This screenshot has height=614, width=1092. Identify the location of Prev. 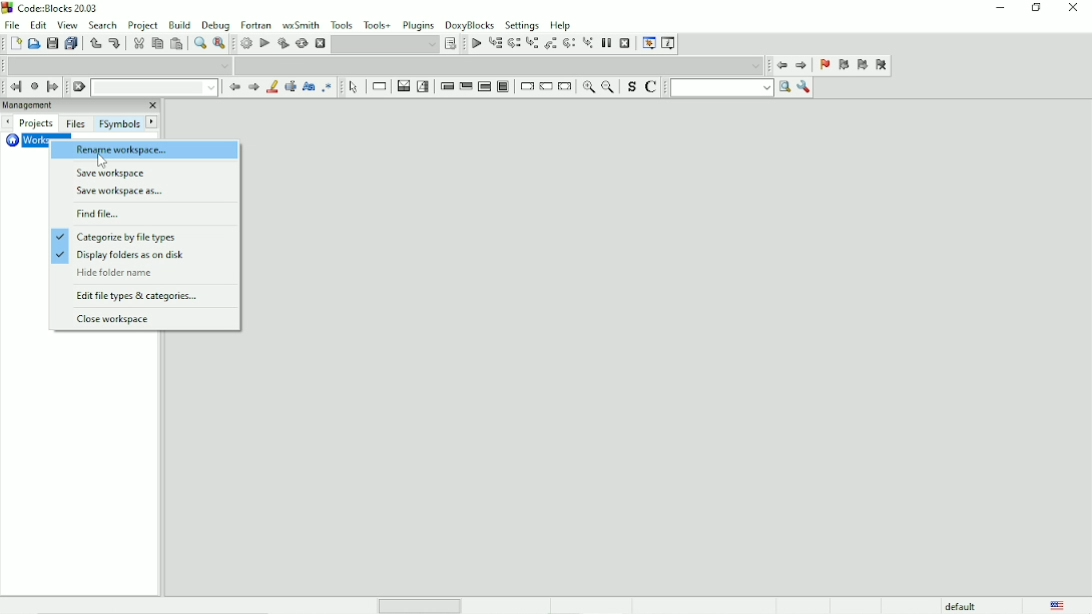
(235, 88).